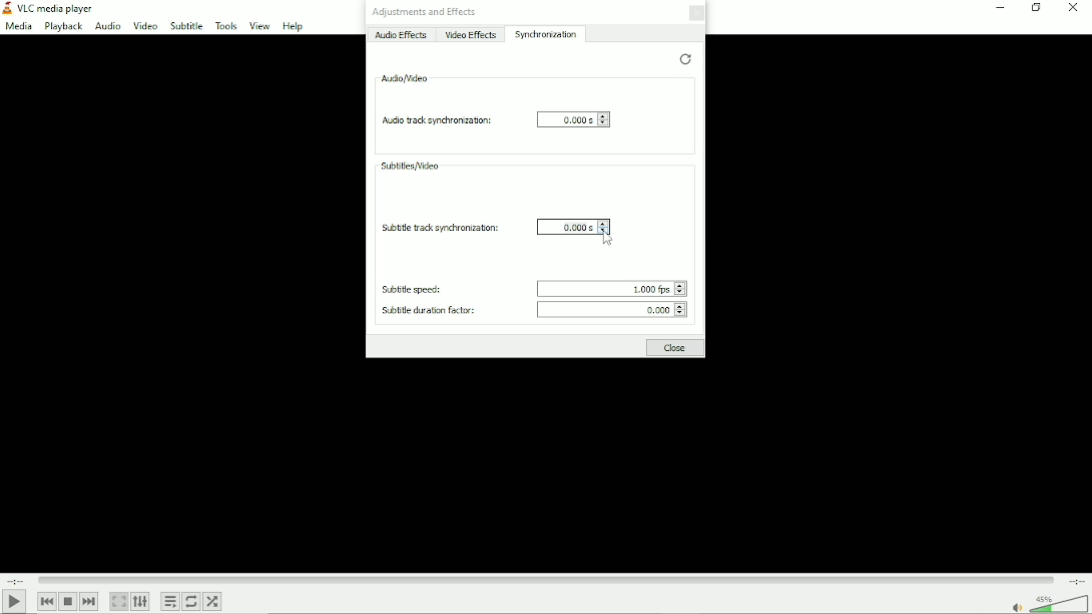 Image resolution: width=1092 pixels, height=614 pixels. I want to click on Media, so click(17, 27).